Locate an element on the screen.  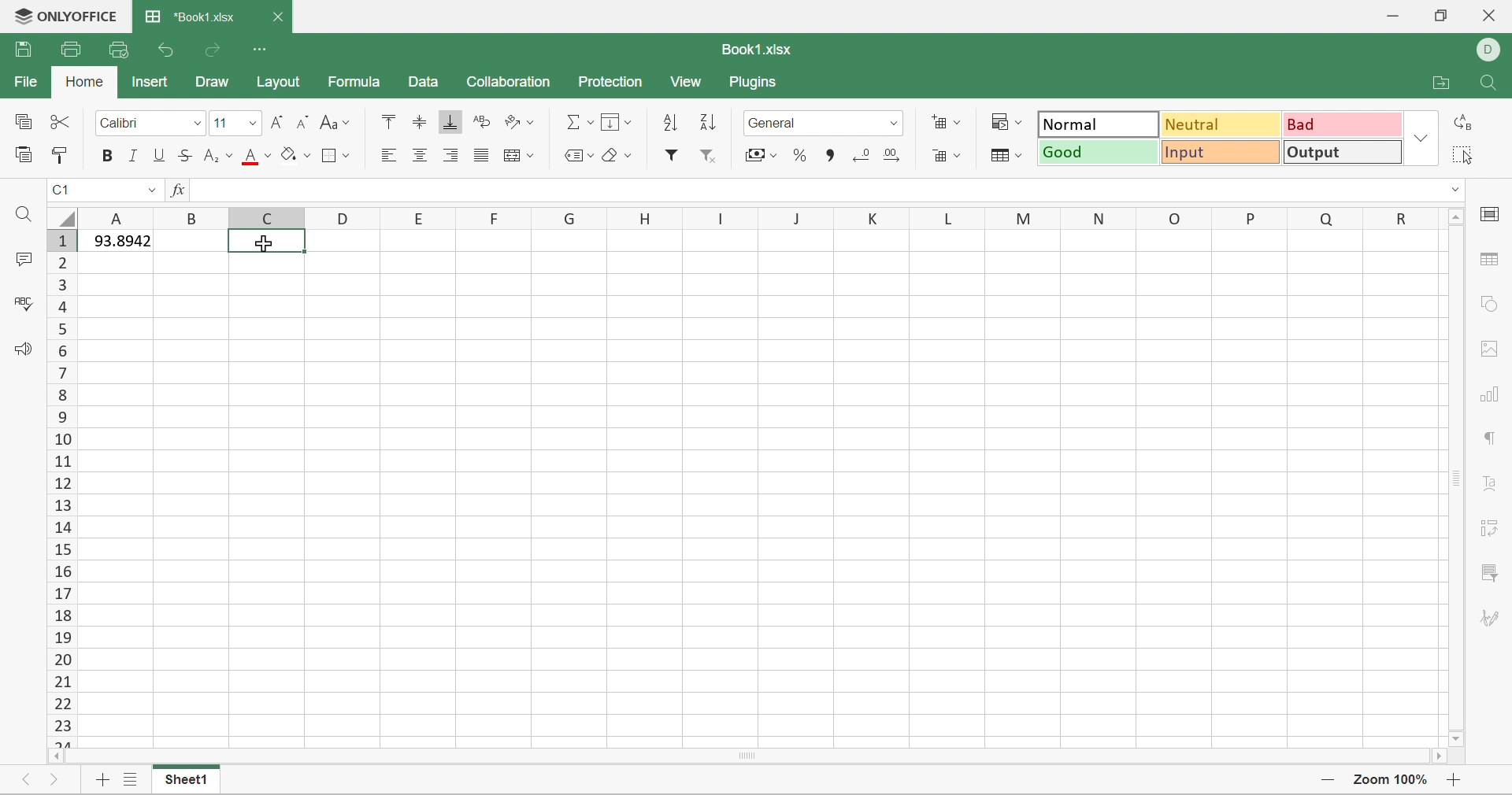
Align Top is located at coordinates (386, 120).